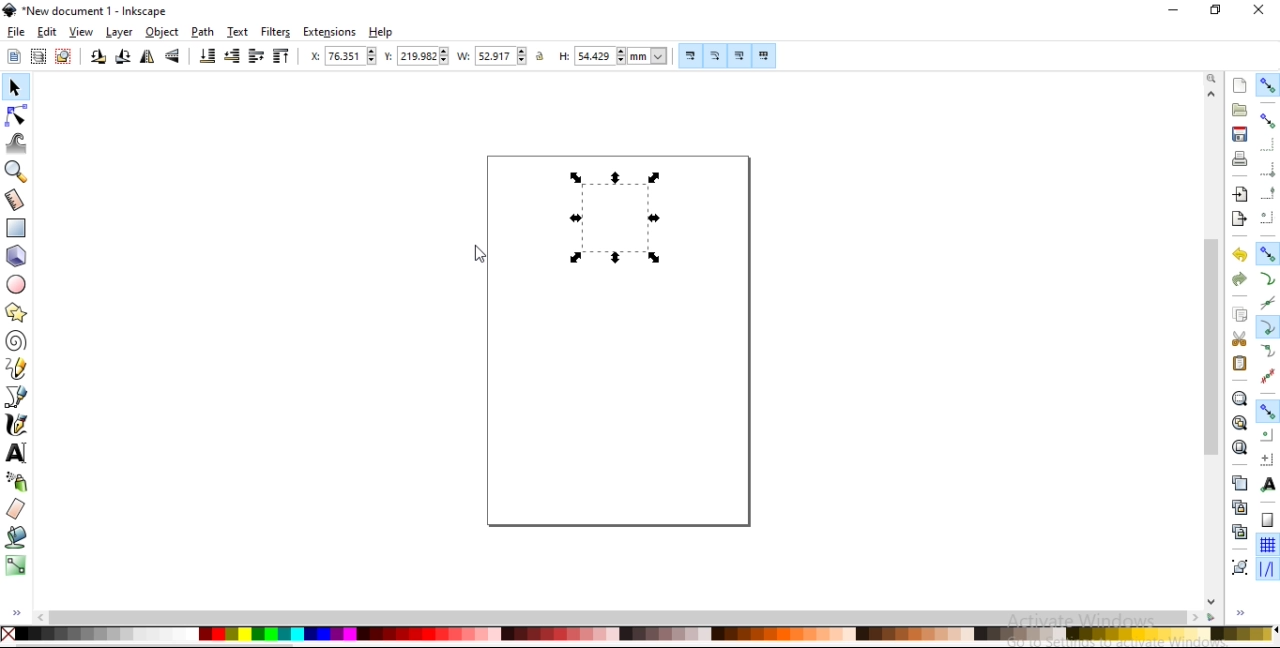 The width and height of the screenshot is (1280, 648). What do you see at coordinates (1265, 216) in the screenshot?
I see `snap centers of bounding boxes` at bounding box center [1265, 216].